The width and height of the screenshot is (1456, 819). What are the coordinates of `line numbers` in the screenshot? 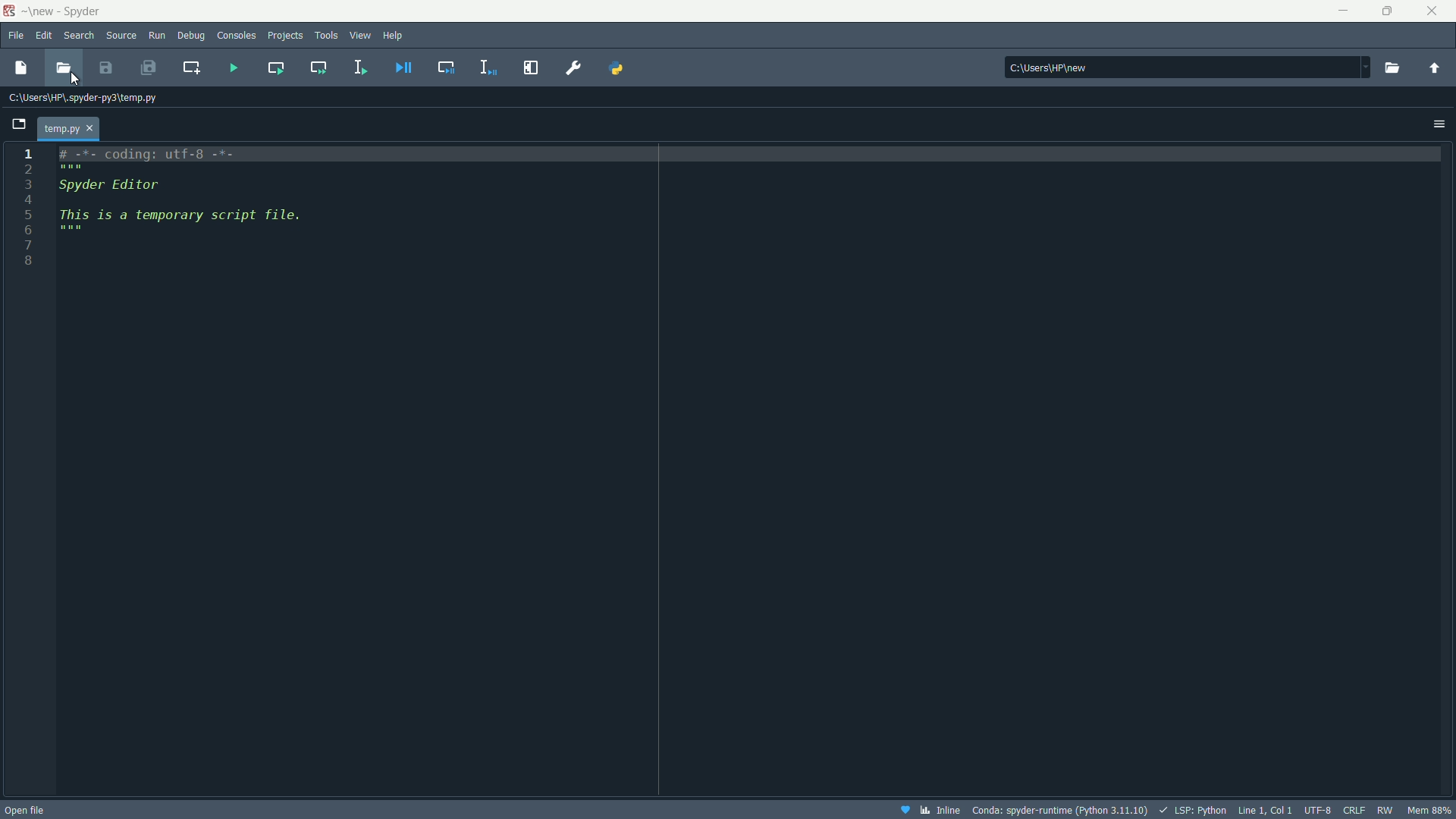 It's located at (27, 212).